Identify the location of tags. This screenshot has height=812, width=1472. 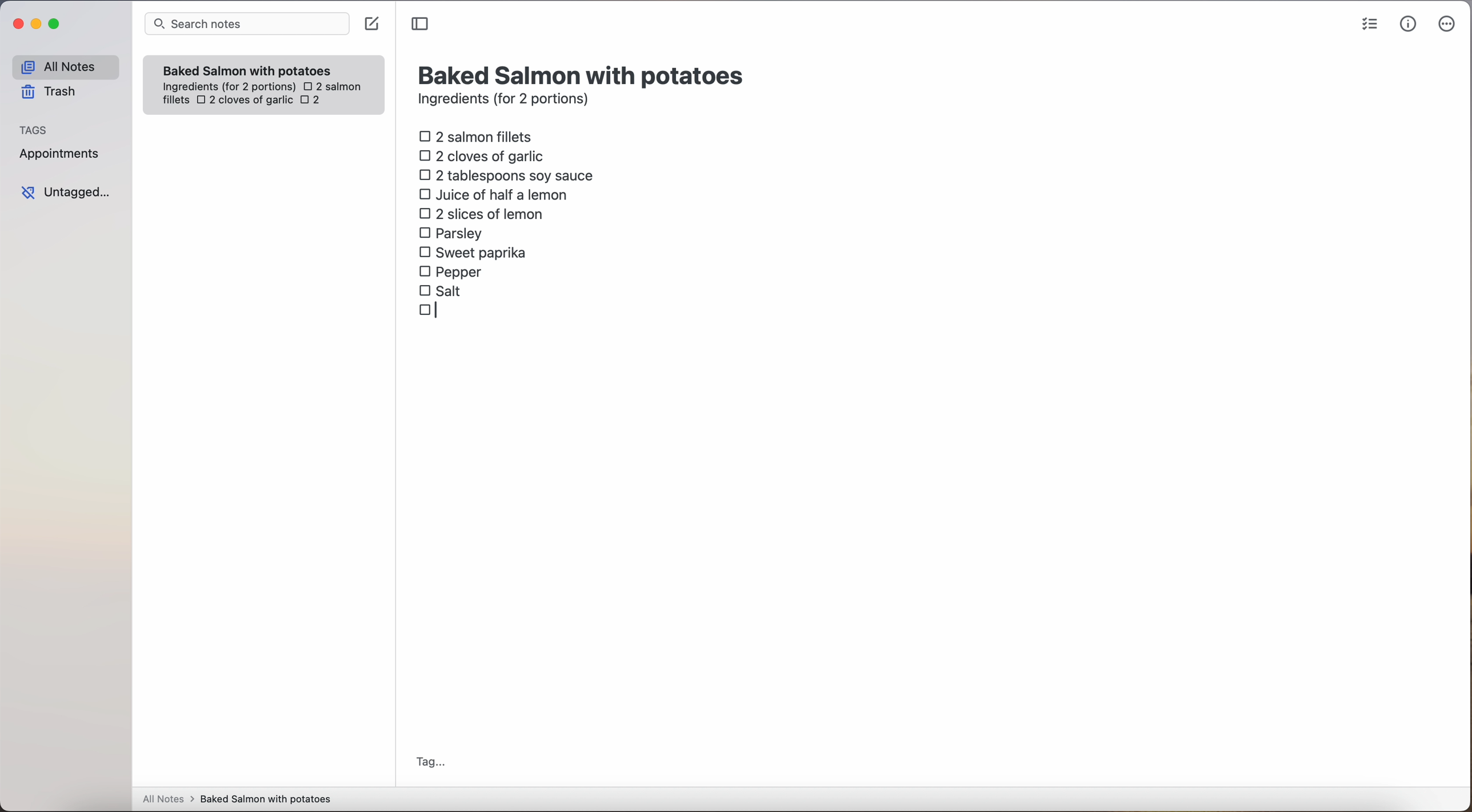
(34, 129).